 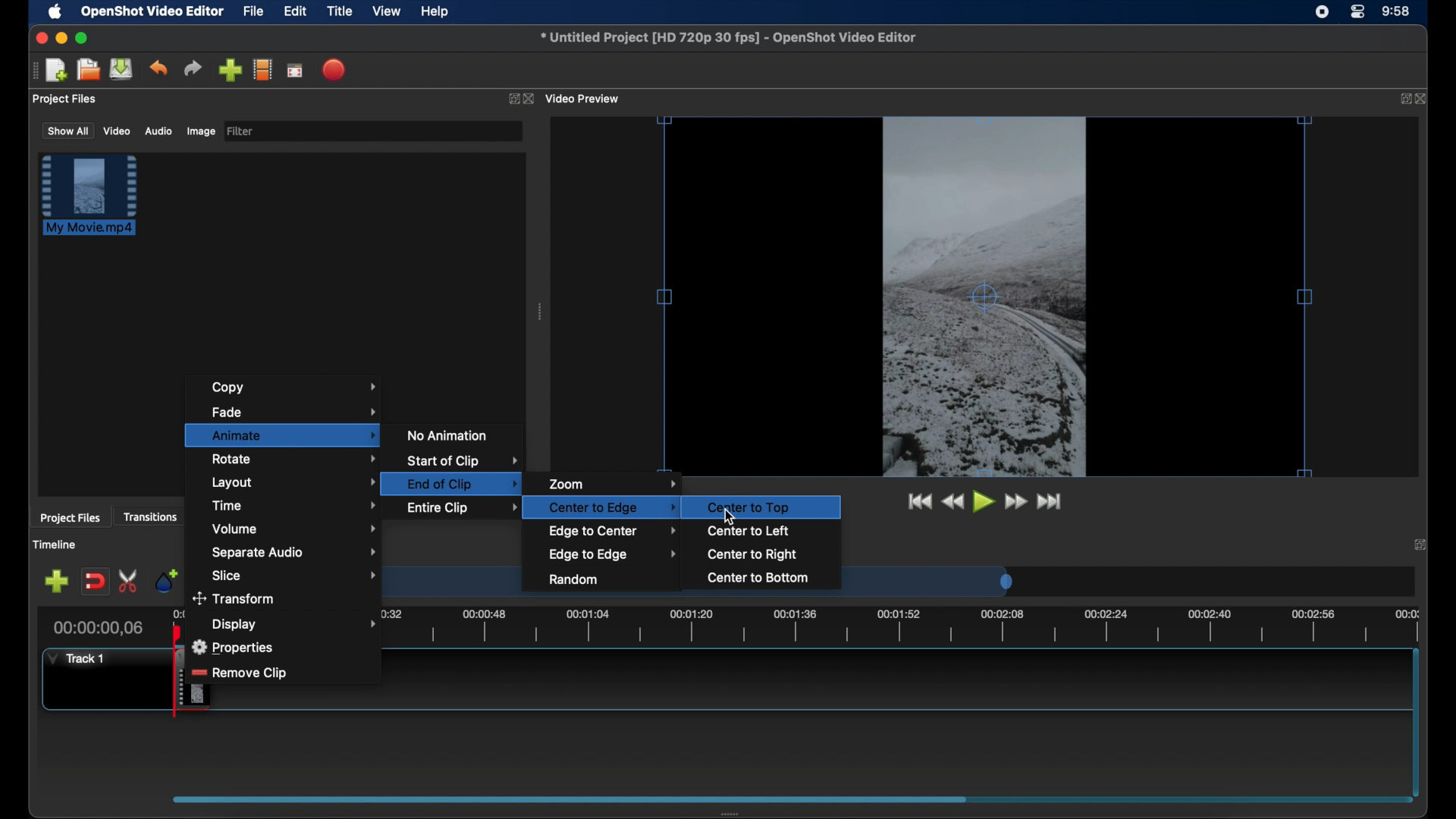 What do you see at coordinates (61, 38) in the screenshot?
I see `minimize` at bounding box center [61, 38].